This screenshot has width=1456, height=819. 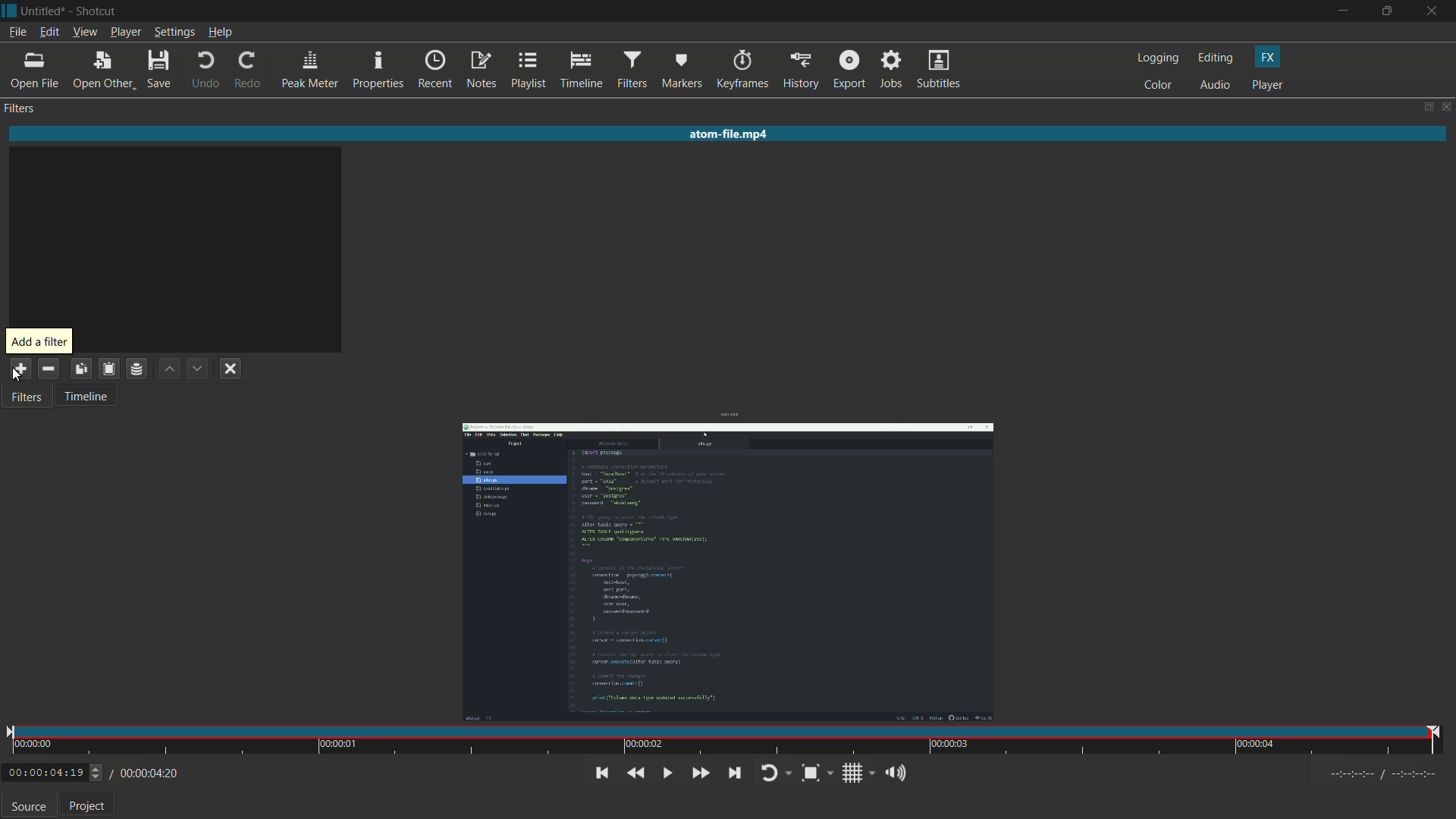 What do you see at coordinates (743, 71) in the screenshot?
I see `keyframes` at bounding box center [743, 71].